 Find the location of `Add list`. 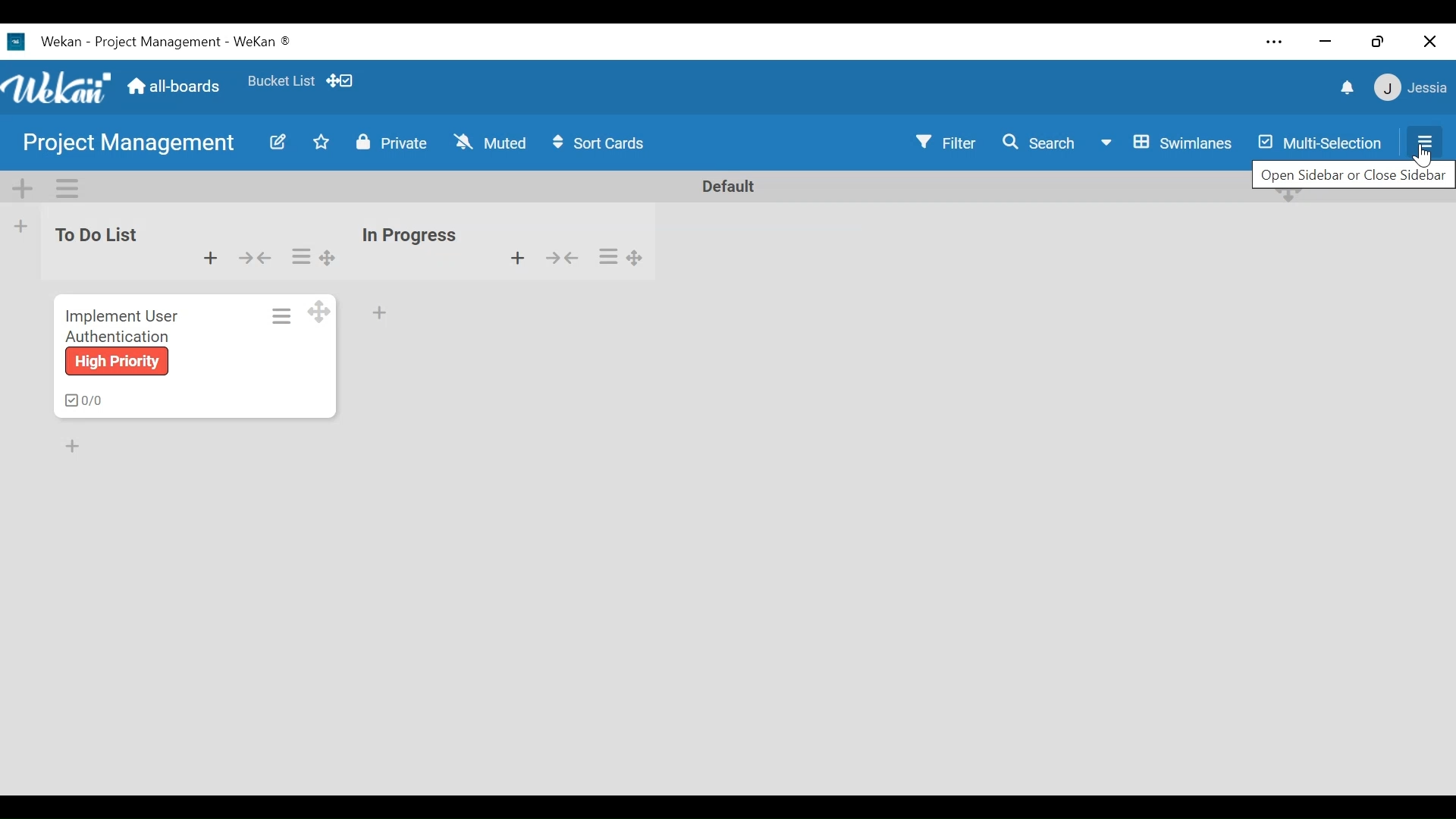

Add list is located at coordinates (19, 226).